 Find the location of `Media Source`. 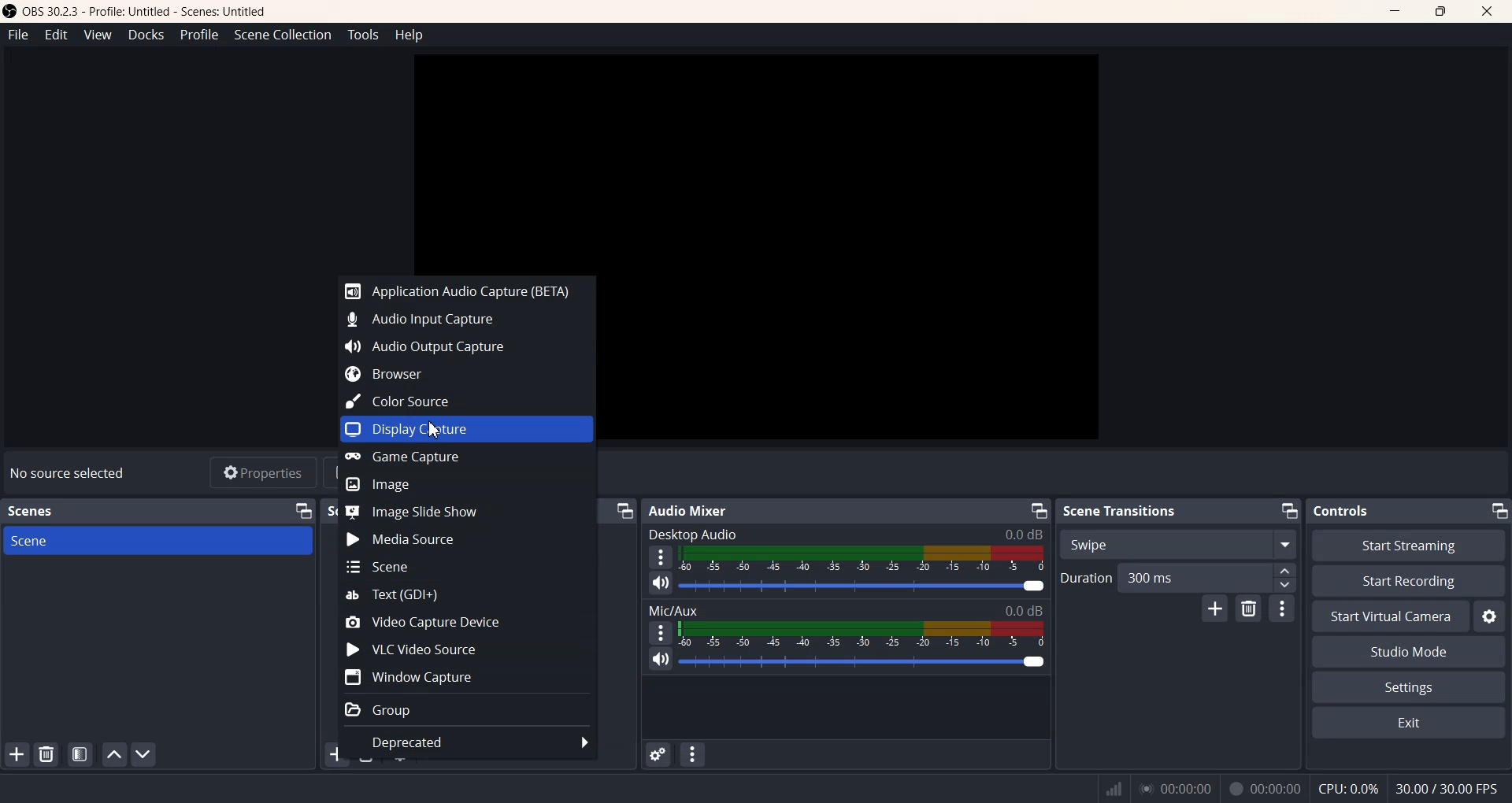

Media Source is located at coordinates (465, 538).